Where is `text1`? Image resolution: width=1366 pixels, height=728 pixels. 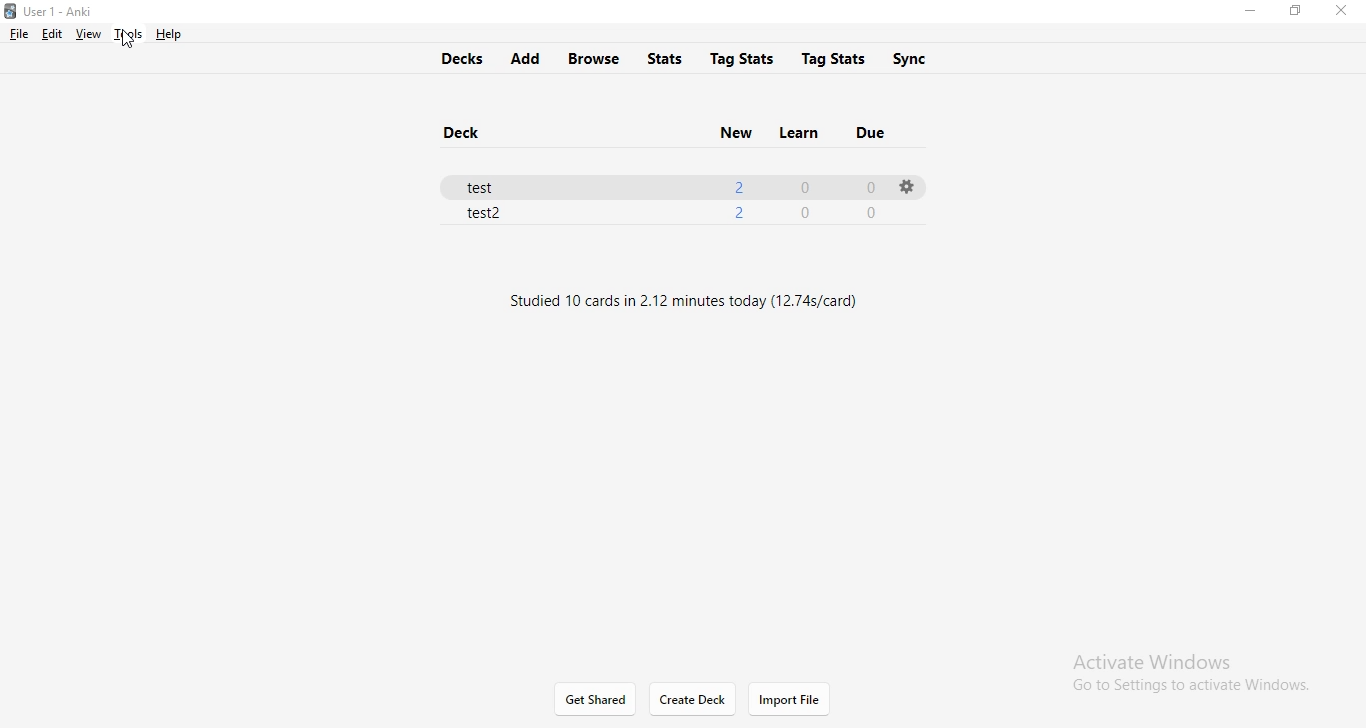
text1 is located at coordinates (694, 295).